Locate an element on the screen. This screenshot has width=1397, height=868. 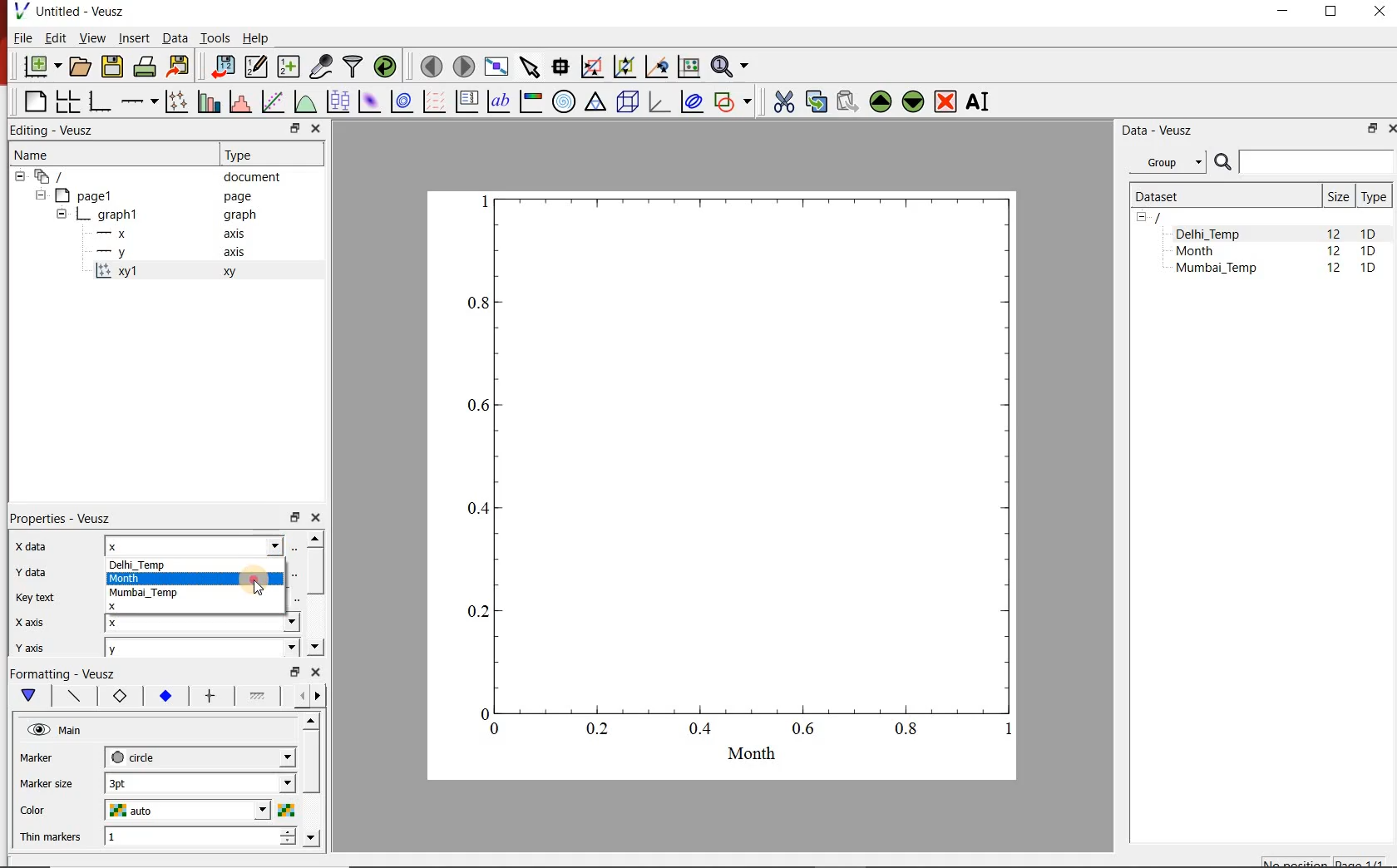
major ticks is located at coordinates (209, 696).